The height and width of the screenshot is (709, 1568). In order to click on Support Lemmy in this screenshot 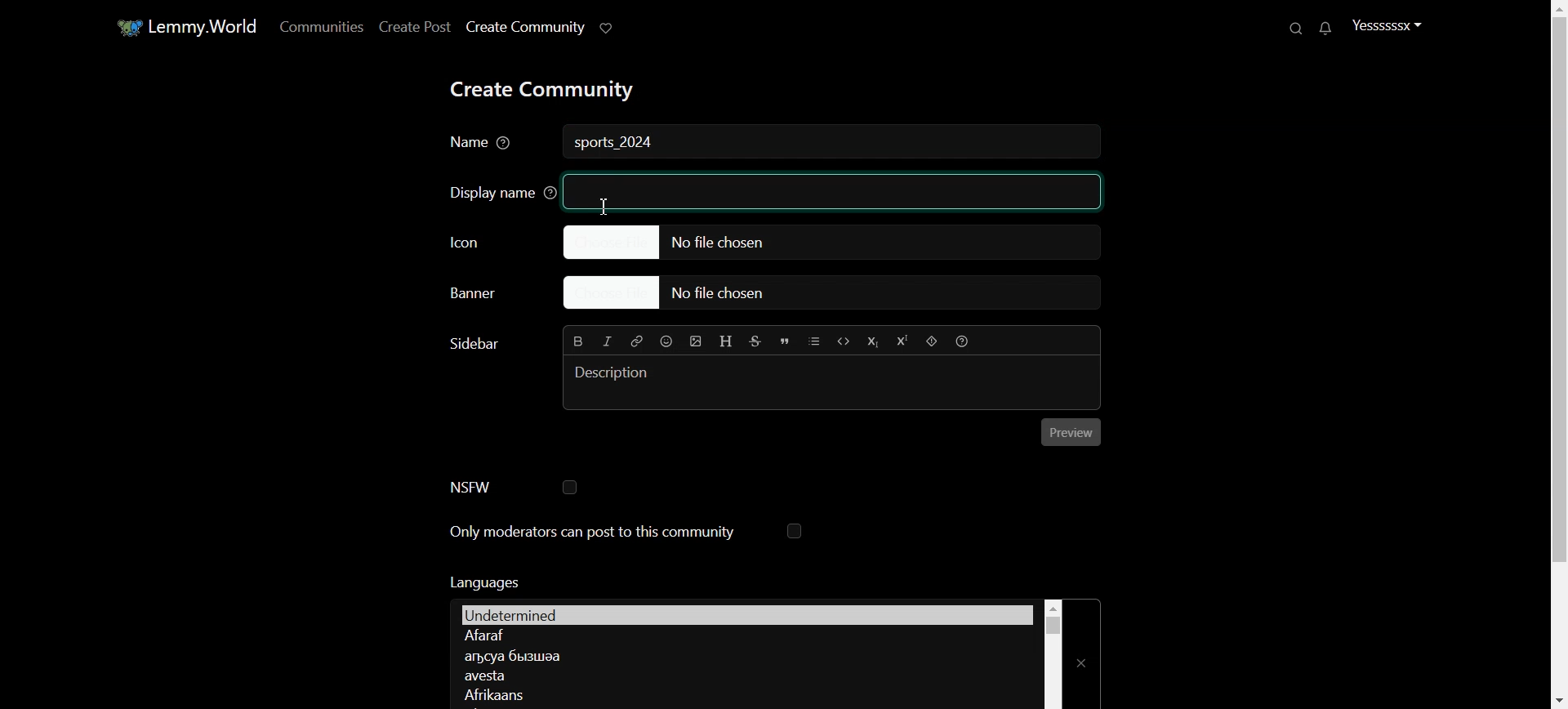, I will do `click(608, 27)`.